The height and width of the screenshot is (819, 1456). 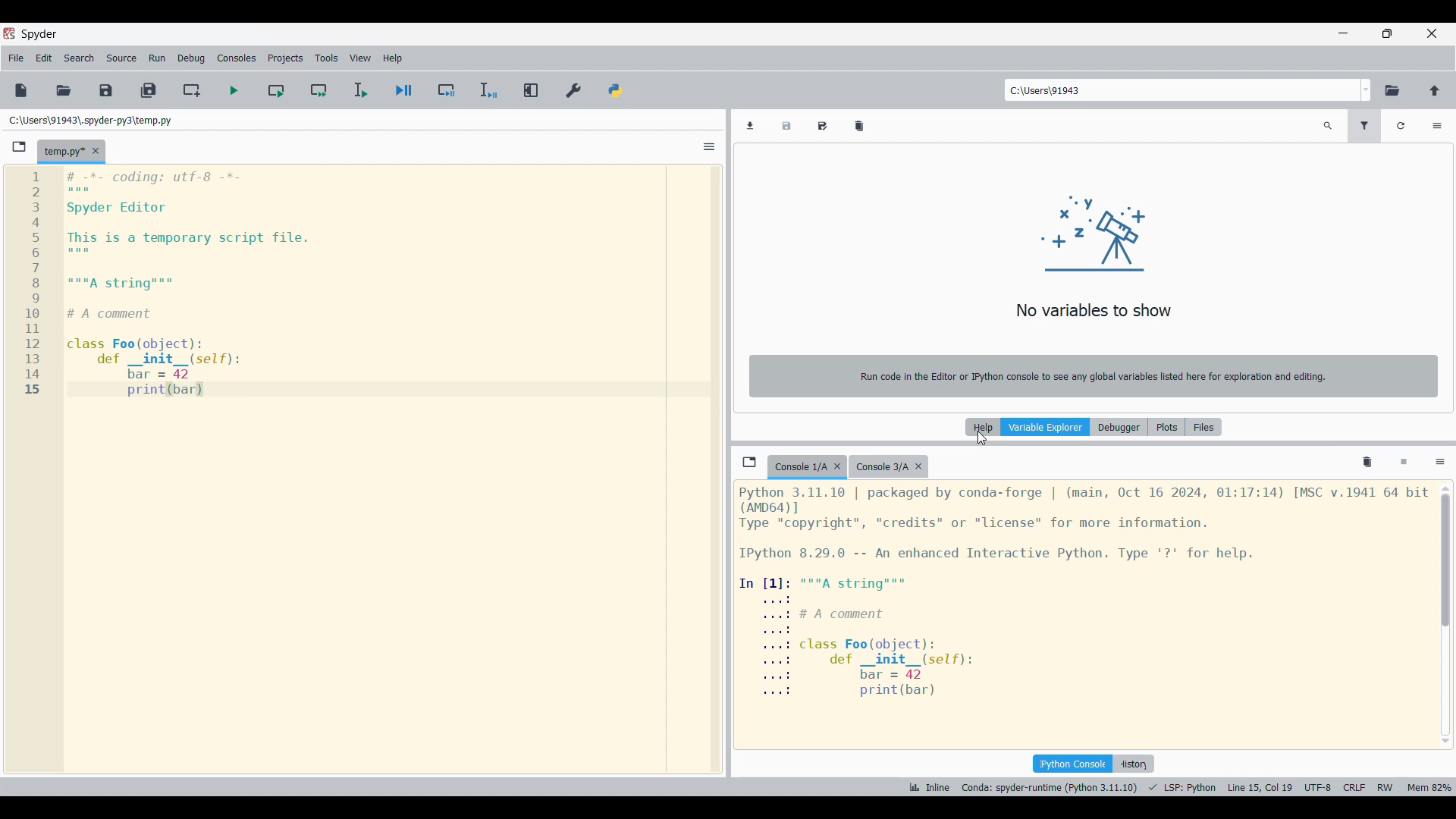 What do you see at coordinates (1085, 256) in the screenshot?
I see `No variables to show` at bounding box center [1085, 256].